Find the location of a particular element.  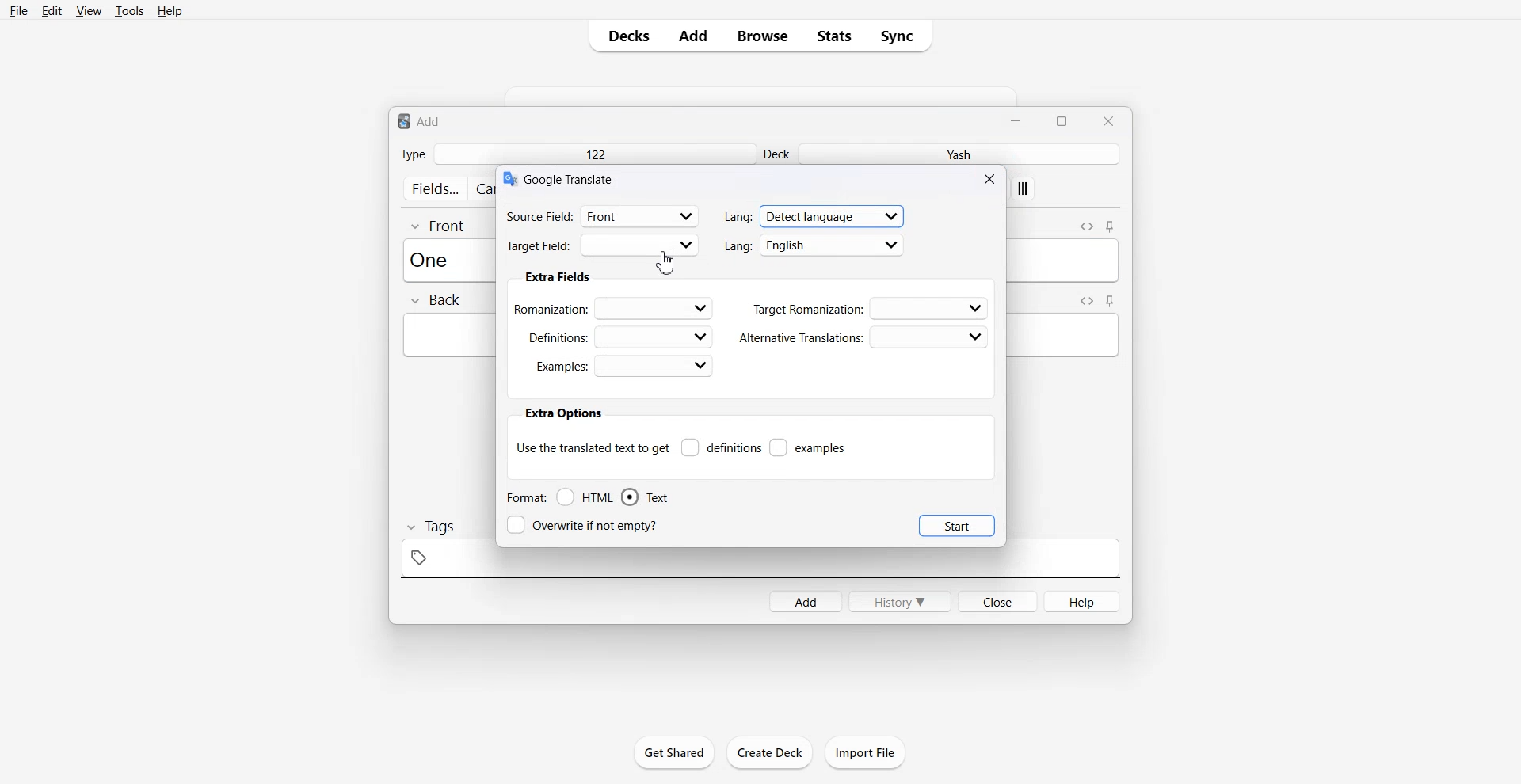

Edit is located at coordinates (51, 10).